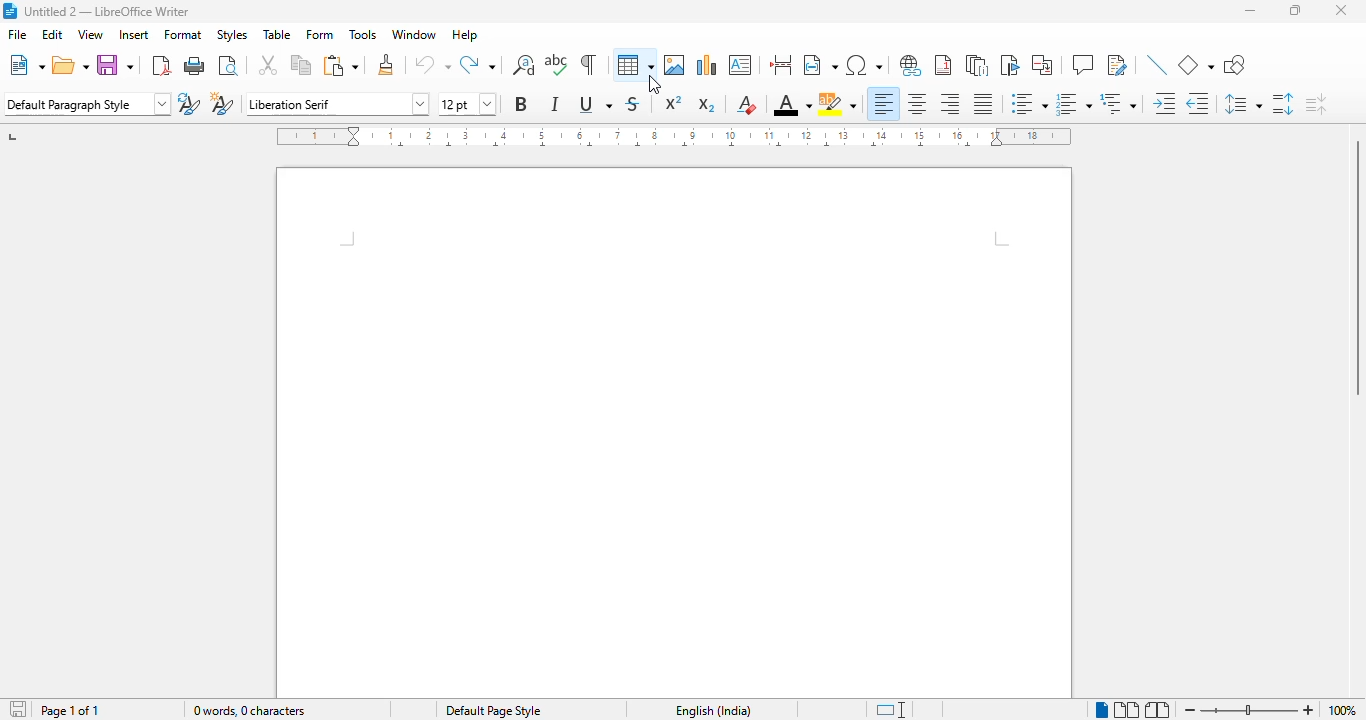 The image size is (1366, 720). I want to click on close, so click(1342, 10).